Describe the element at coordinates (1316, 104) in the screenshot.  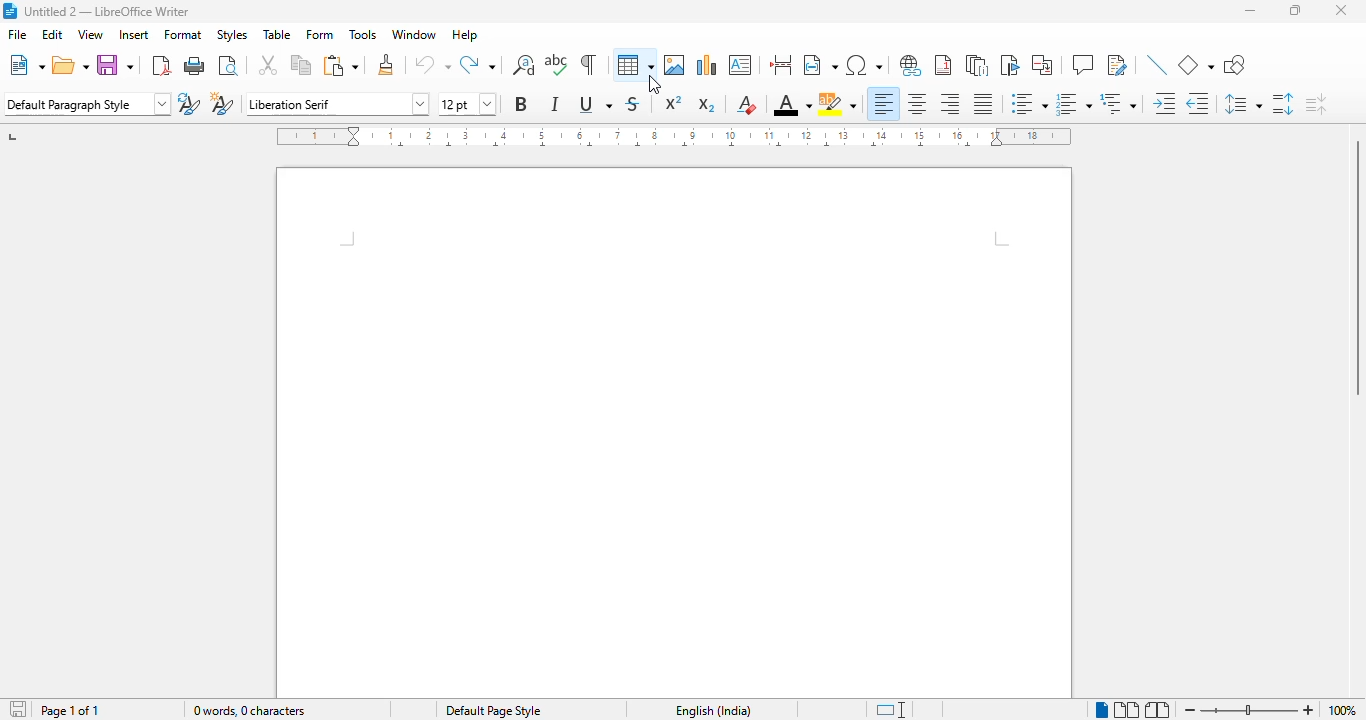
I see `decrease paragraph spacing` at that location.